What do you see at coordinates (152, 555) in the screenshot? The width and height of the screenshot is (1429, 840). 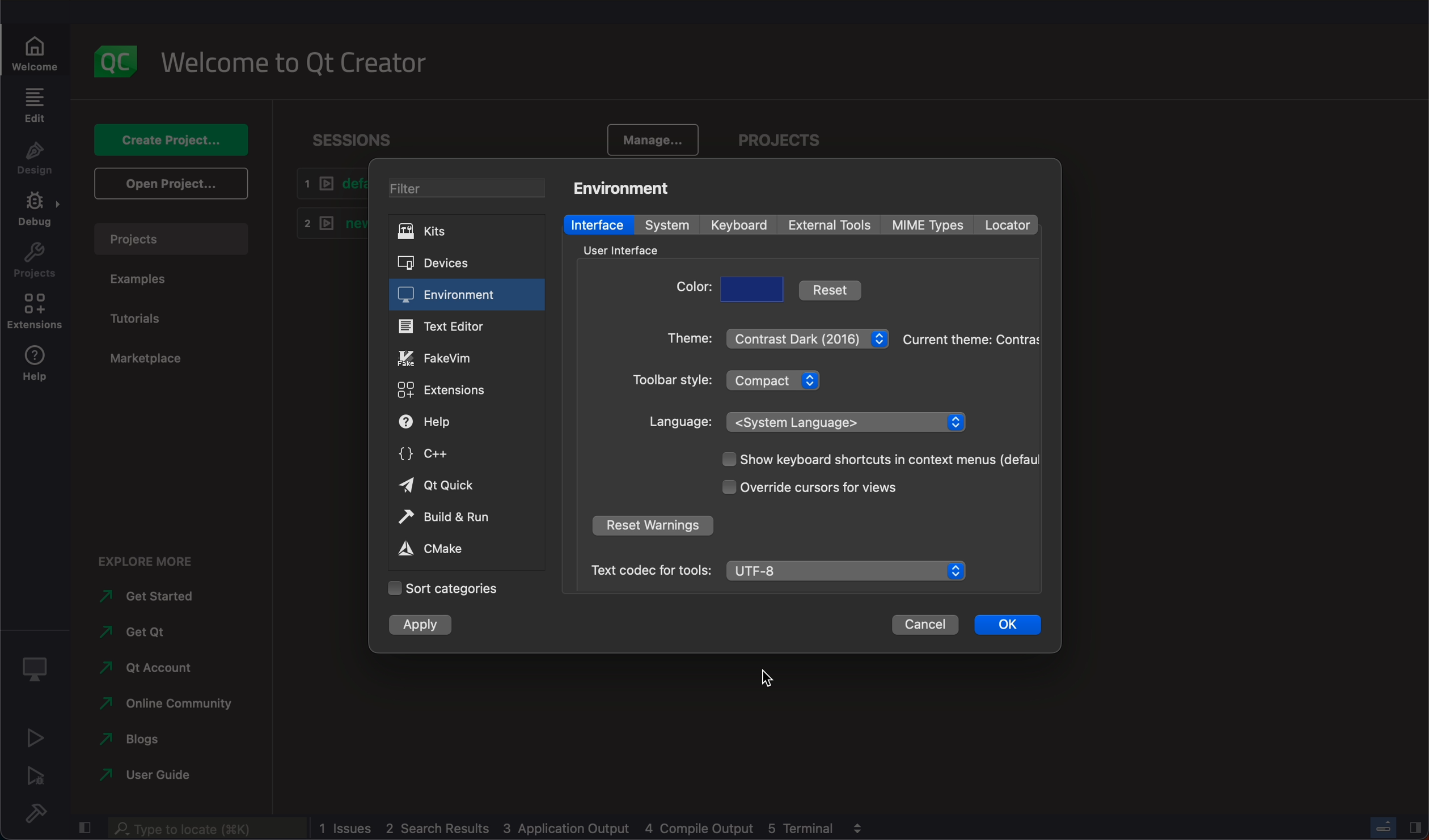 I see `explore more` at bounding box center [152, 555].